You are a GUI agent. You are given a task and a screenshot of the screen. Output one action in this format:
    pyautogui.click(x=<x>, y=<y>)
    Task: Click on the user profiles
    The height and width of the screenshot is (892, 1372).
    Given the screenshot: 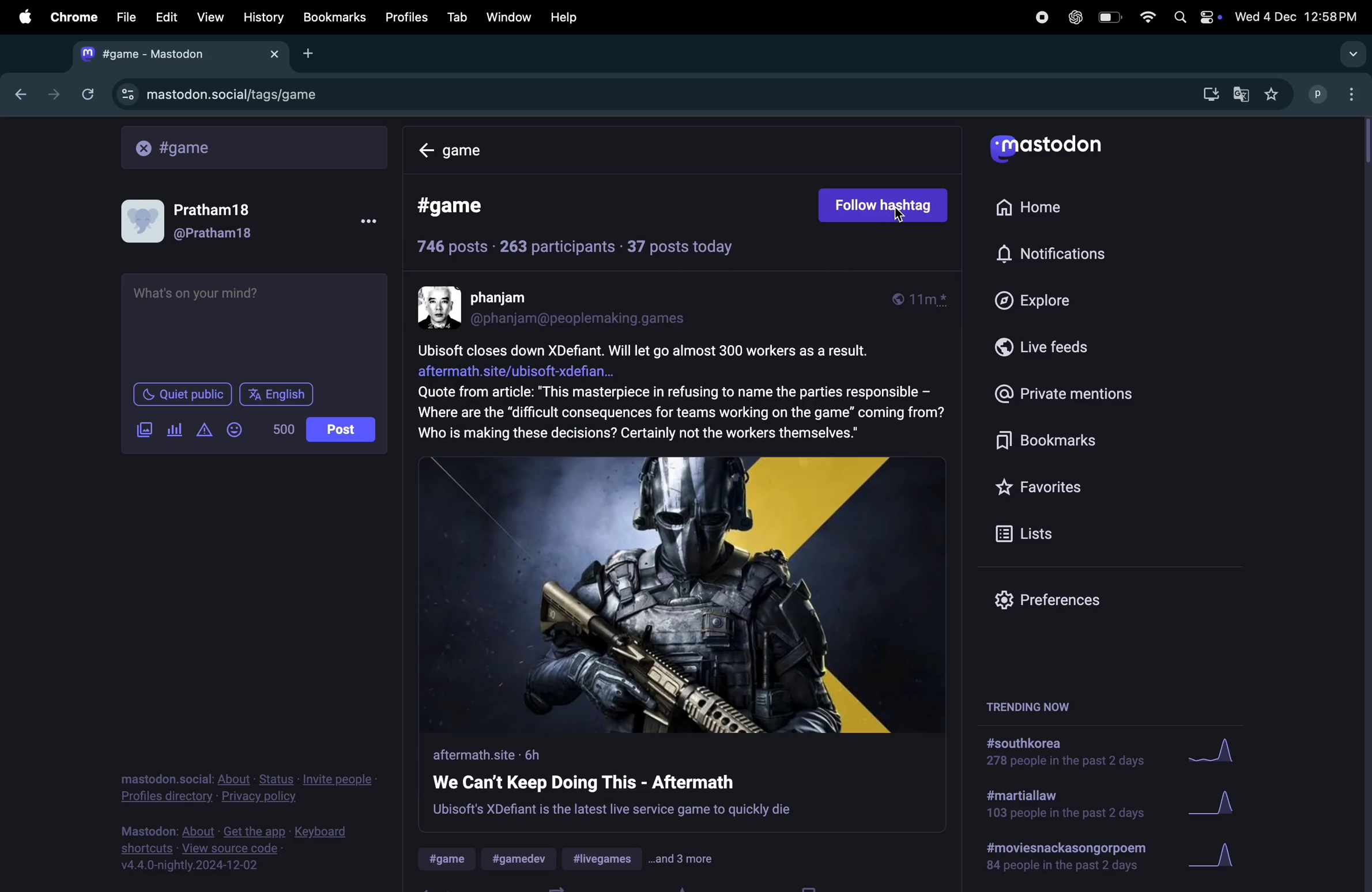 What is the action you would take?
    pyautogui.click(x=1333, y=94)
    